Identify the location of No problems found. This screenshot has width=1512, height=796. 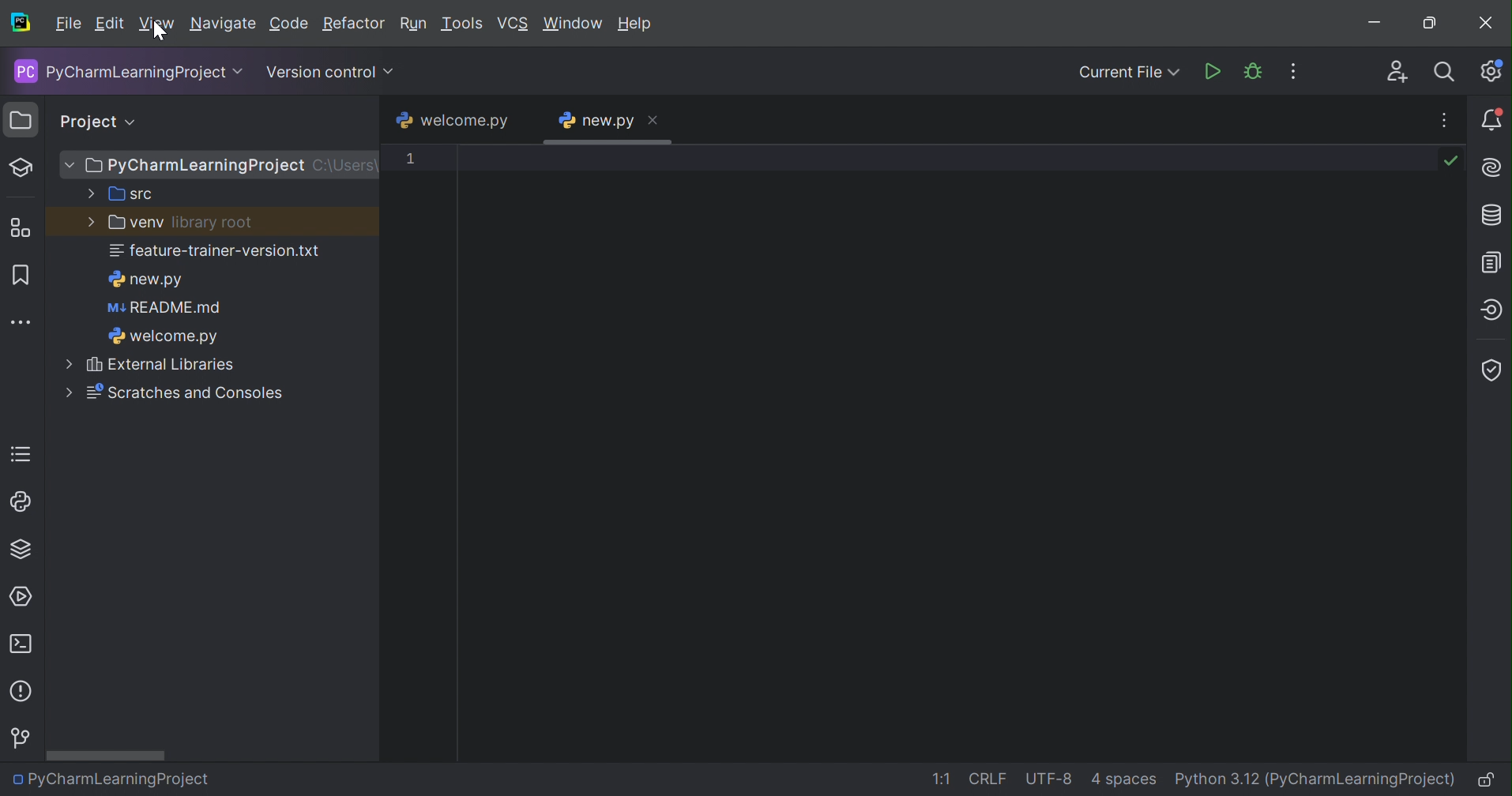
(1453, 161).